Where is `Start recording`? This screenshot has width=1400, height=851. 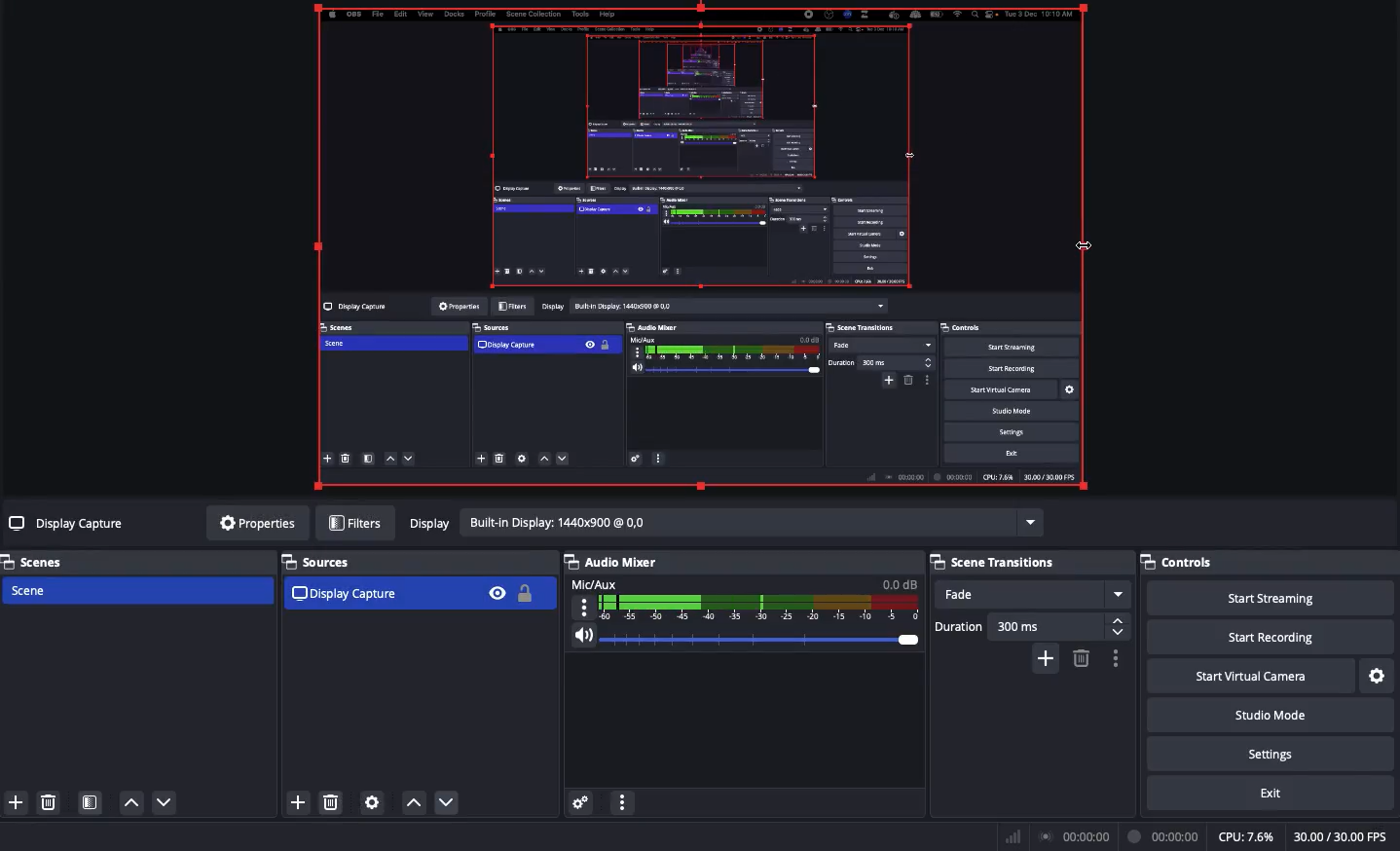
Start recording is located at coordinates (1273, 636).